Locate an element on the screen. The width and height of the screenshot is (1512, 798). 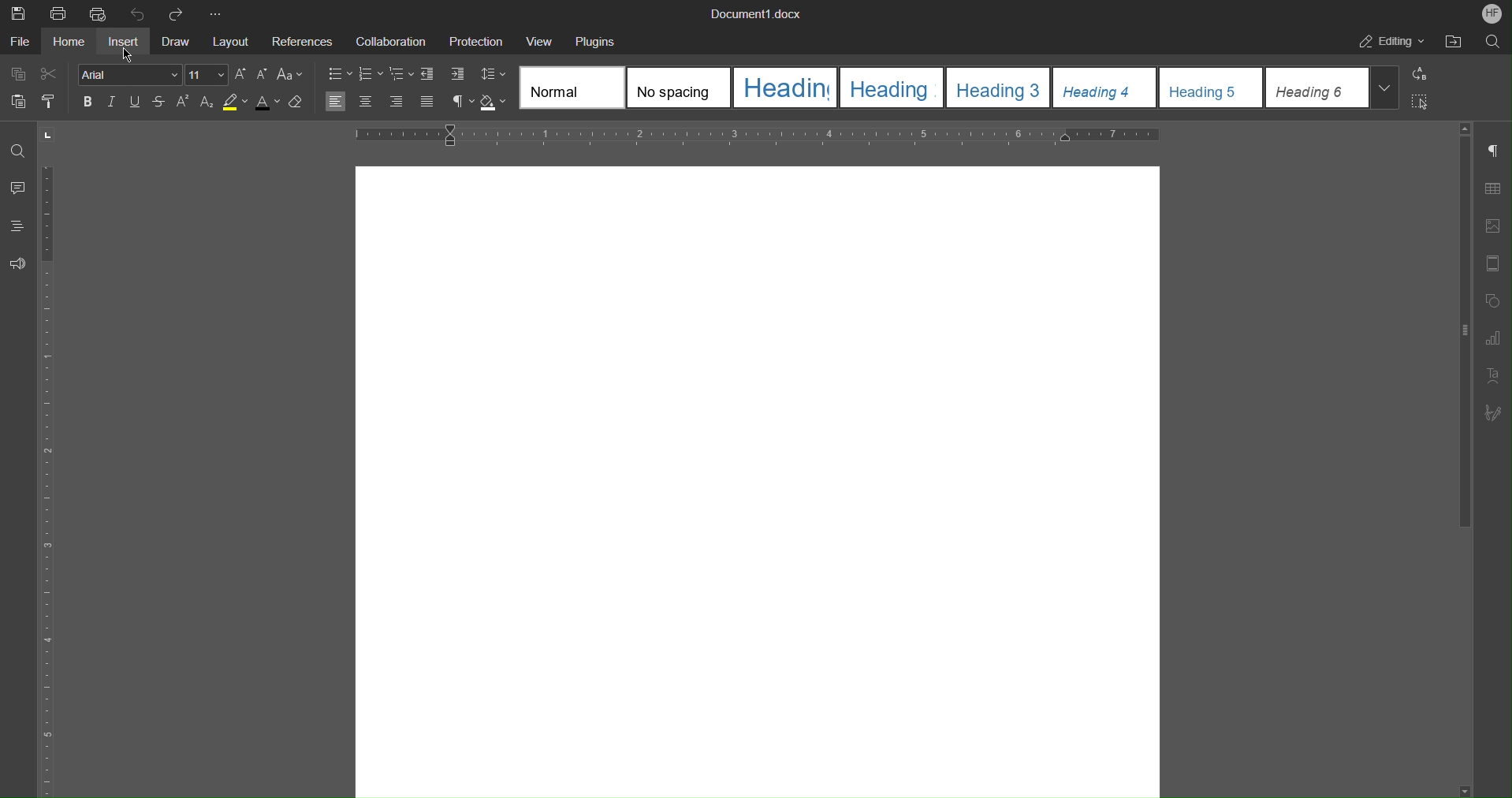
Heading 4 is located at coordinates (1105, 88).